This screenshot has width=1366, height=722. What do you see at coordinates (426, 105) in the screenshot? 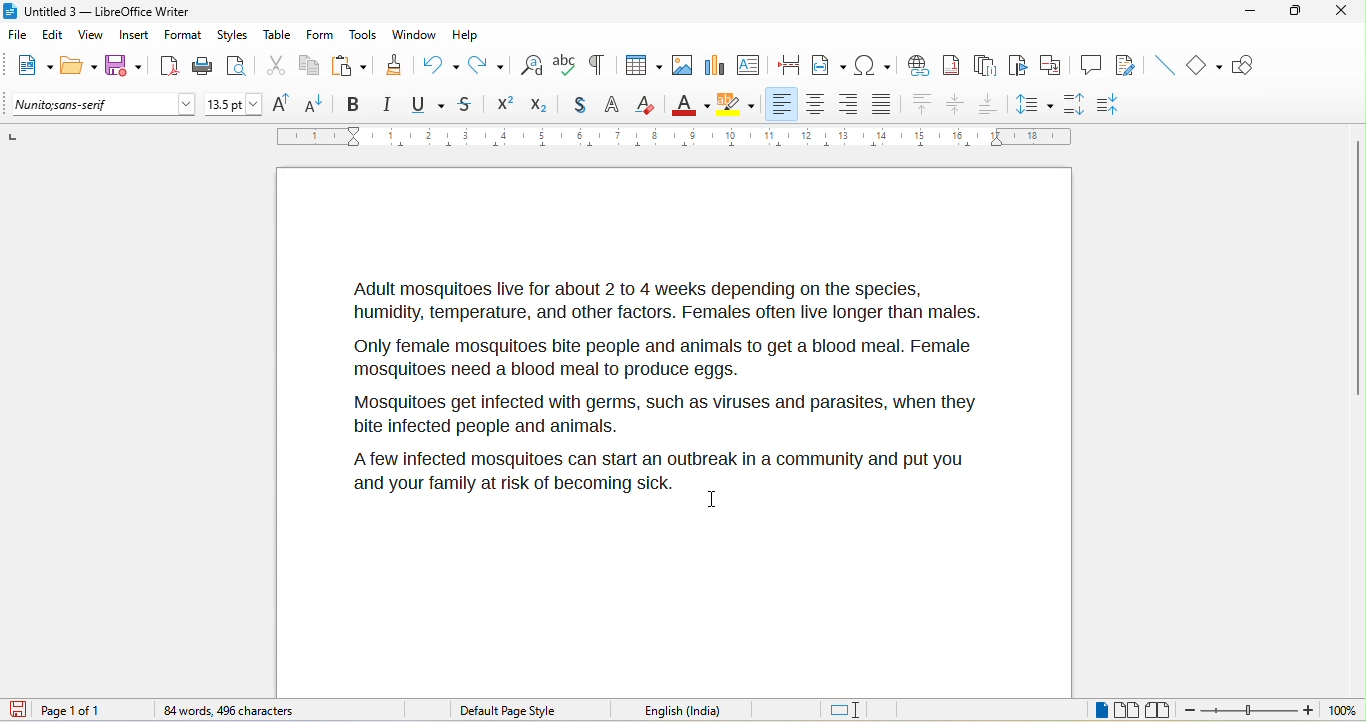
I see `underline` at bounding box center [426, 105].